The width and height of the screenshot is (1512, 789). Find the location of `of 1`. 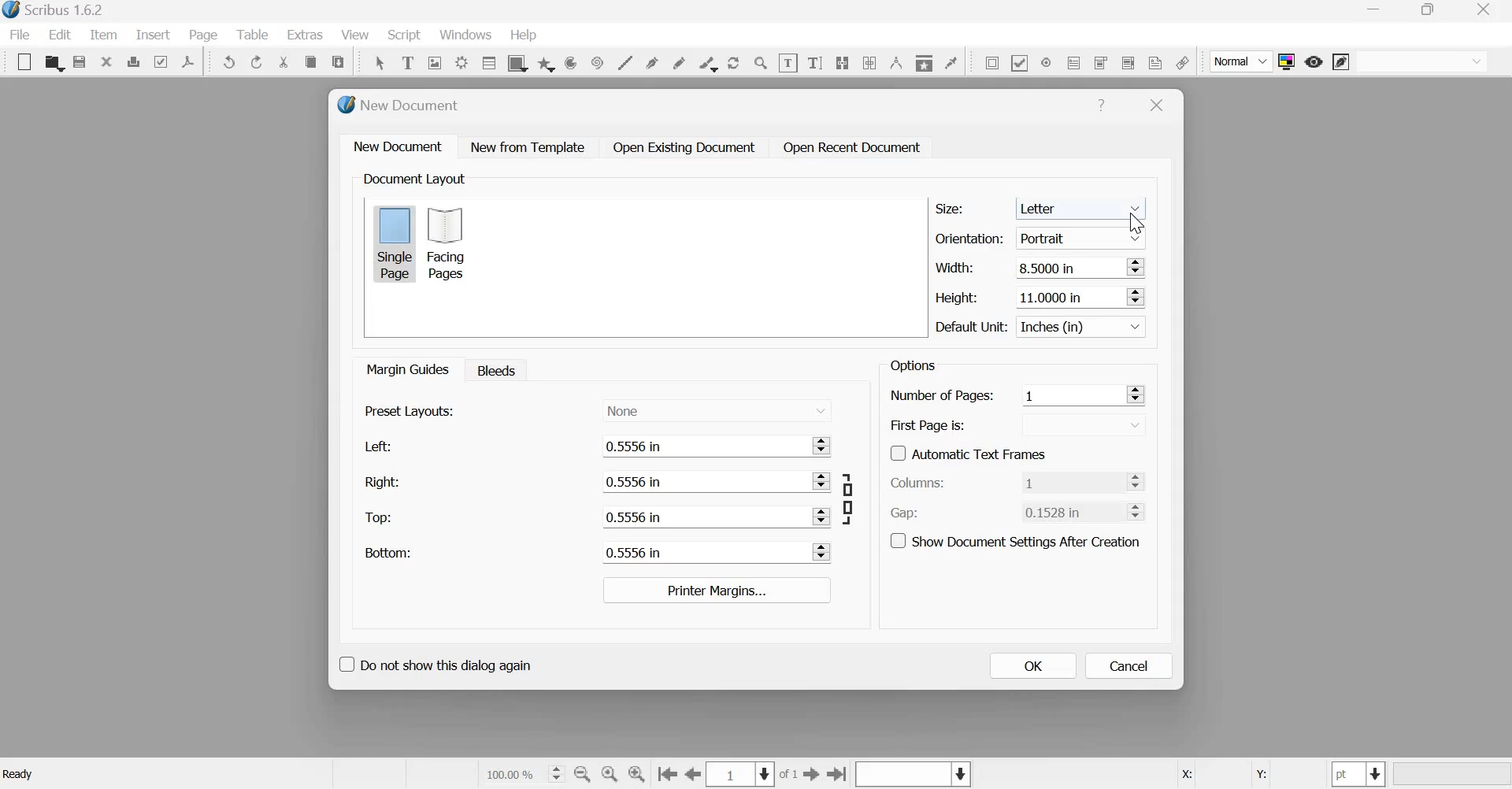

of 1 is located at coordinates (789, 775).